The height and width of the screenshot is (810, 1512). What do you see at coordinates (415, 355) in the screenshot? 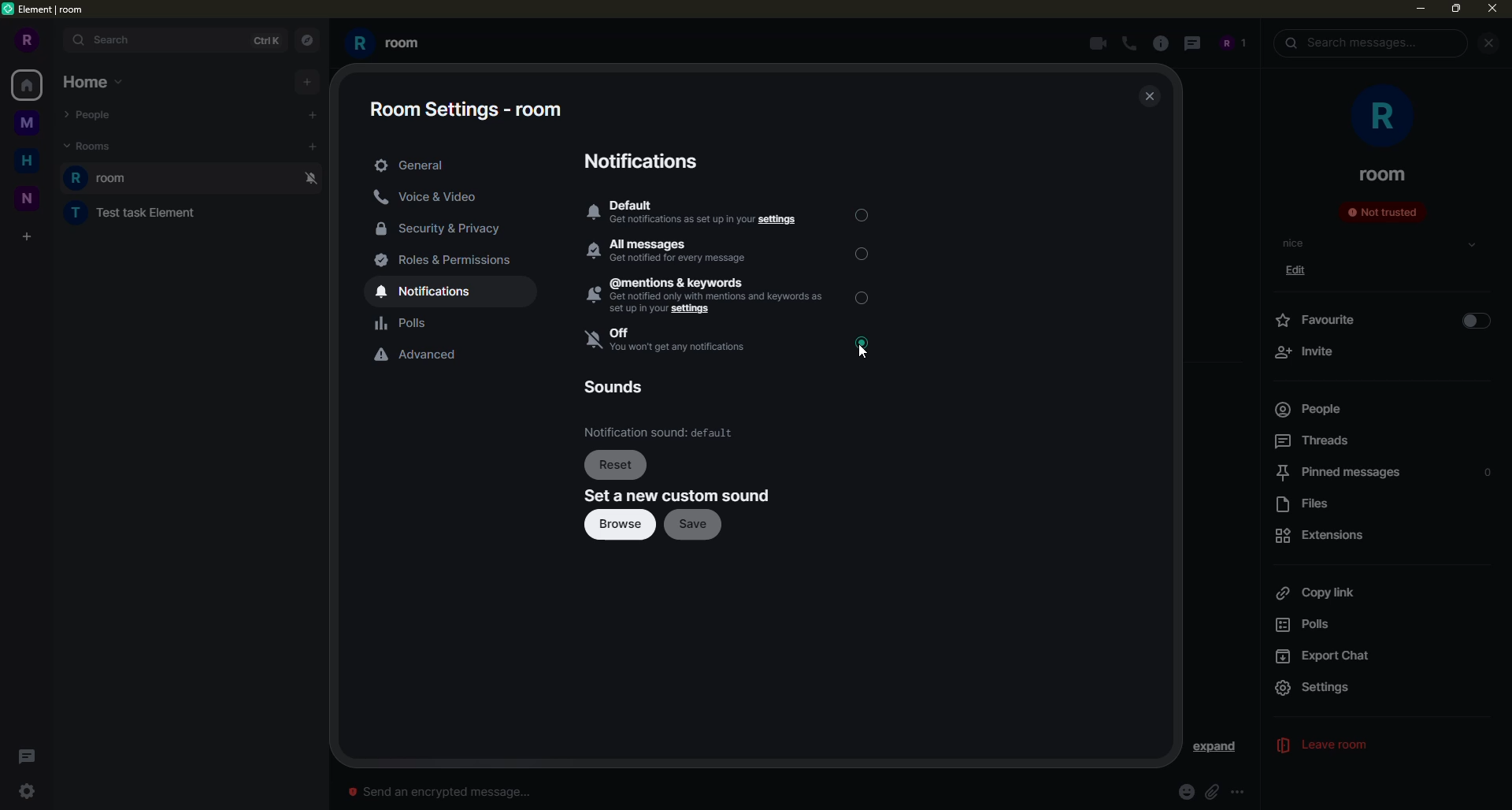
I see `advanced` at bounding box center [415, 355].